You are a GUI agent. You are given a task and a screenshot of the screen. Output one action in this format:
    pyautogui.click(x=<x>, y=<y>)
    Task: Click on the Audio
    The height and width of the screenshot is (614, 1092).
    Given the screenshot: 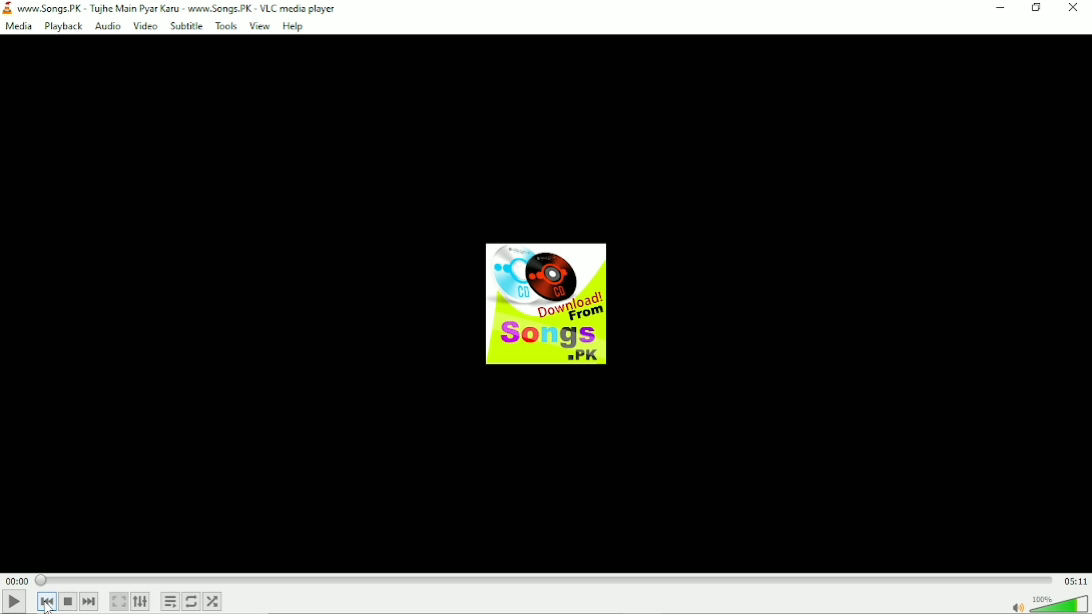 What is the action you would take?
    pyautogui.click(x=106, y=26)
    